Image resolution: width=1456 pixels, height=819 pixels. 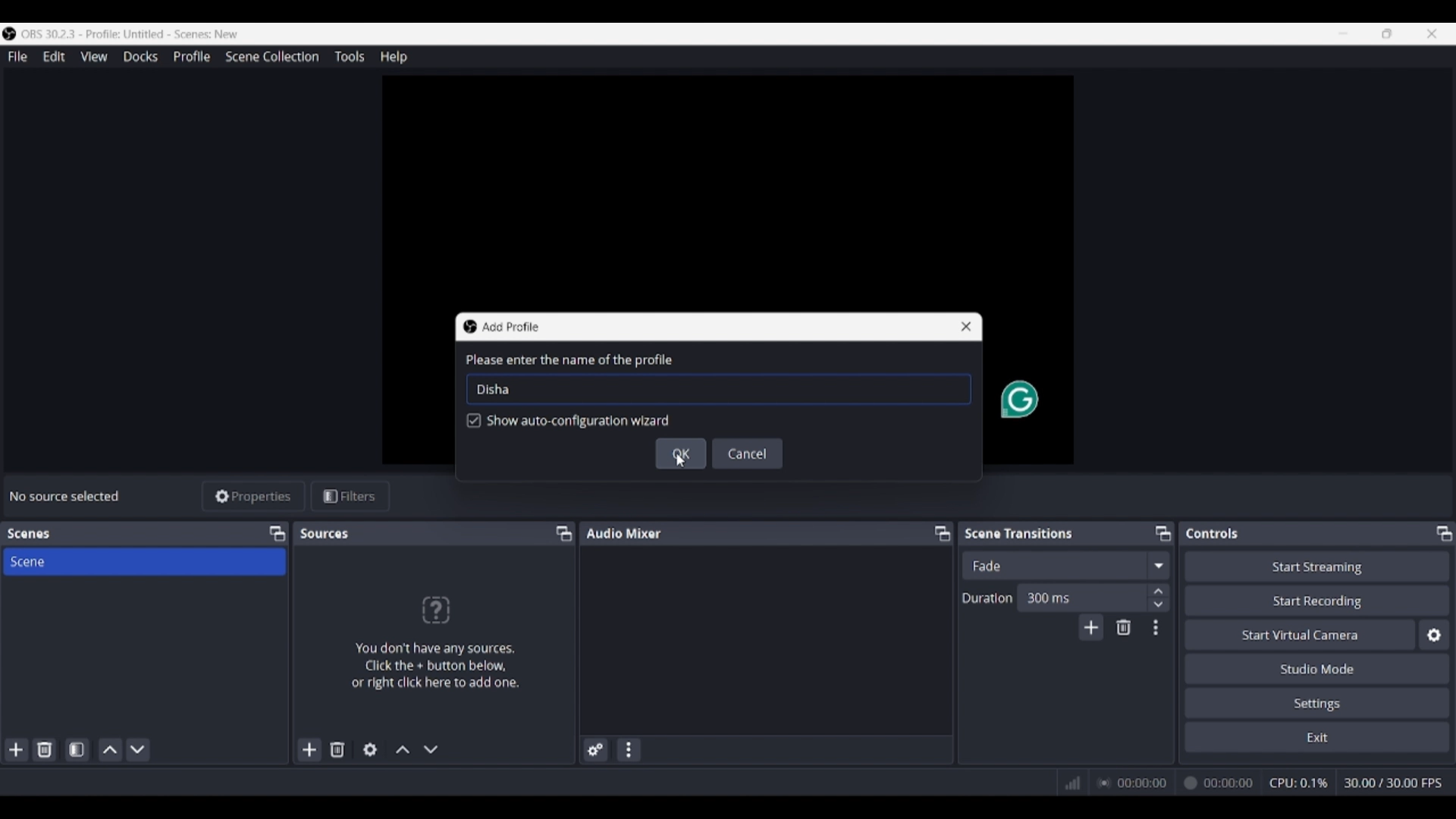 What do you see at coordinates (192, 57) in the screenshot?
I see `Profile menu, highlighted by cursor` at bounding box center [192, 57].